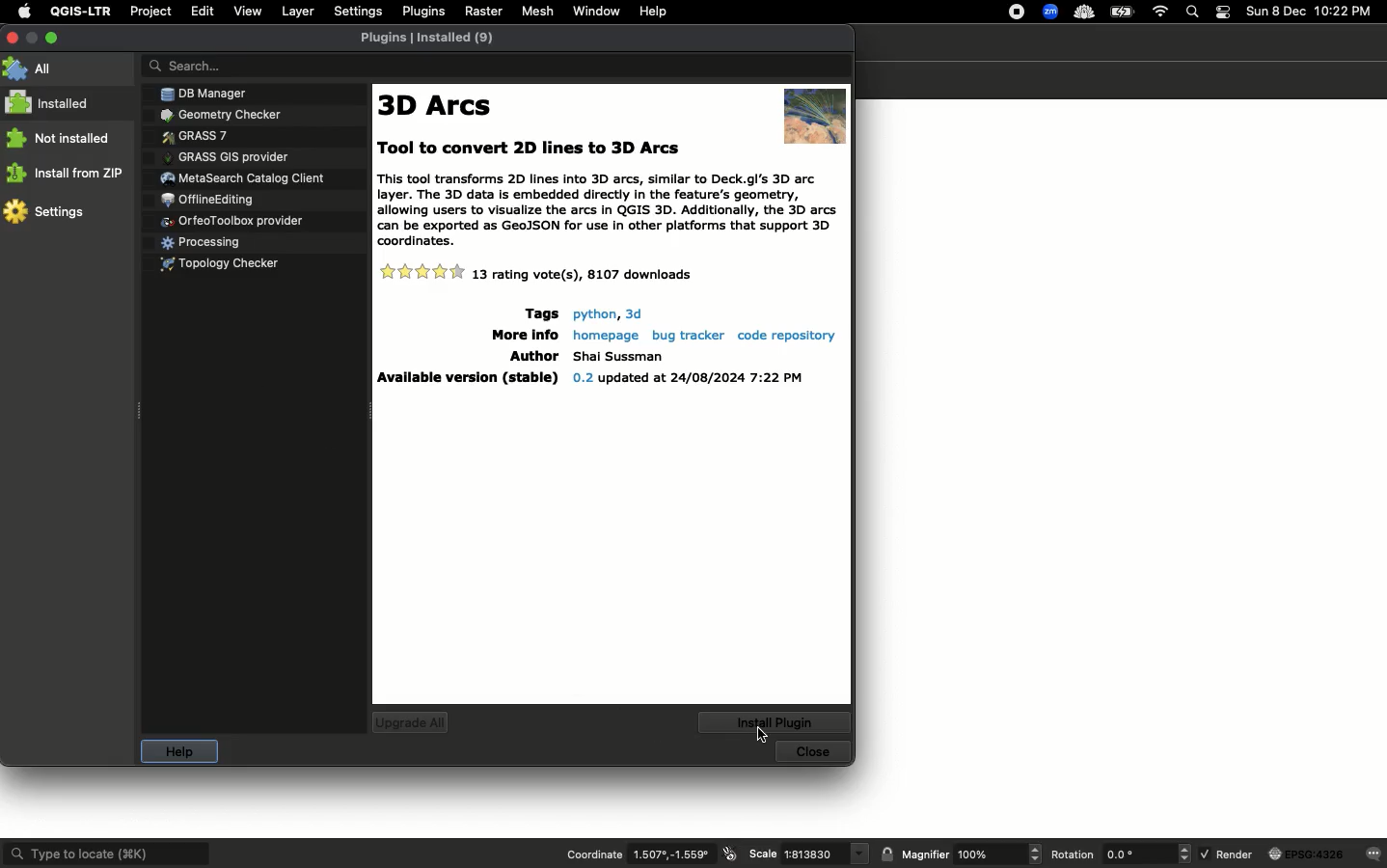 This screenshot has width=1387, height=868. I want to click on Magnifier, so click(997, 854).